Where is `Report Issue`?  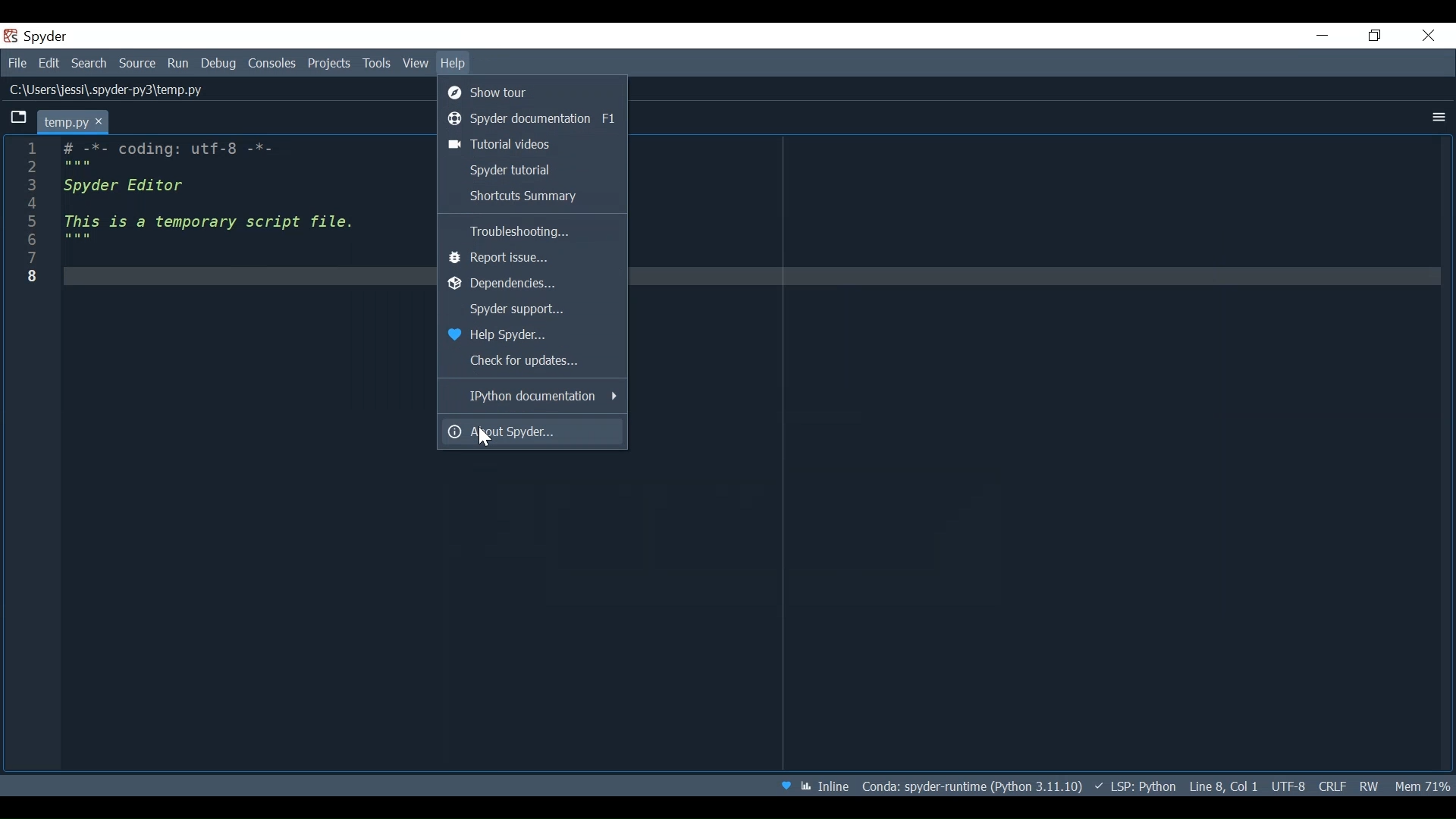 Report Issue is located at coordinates (531, 258).